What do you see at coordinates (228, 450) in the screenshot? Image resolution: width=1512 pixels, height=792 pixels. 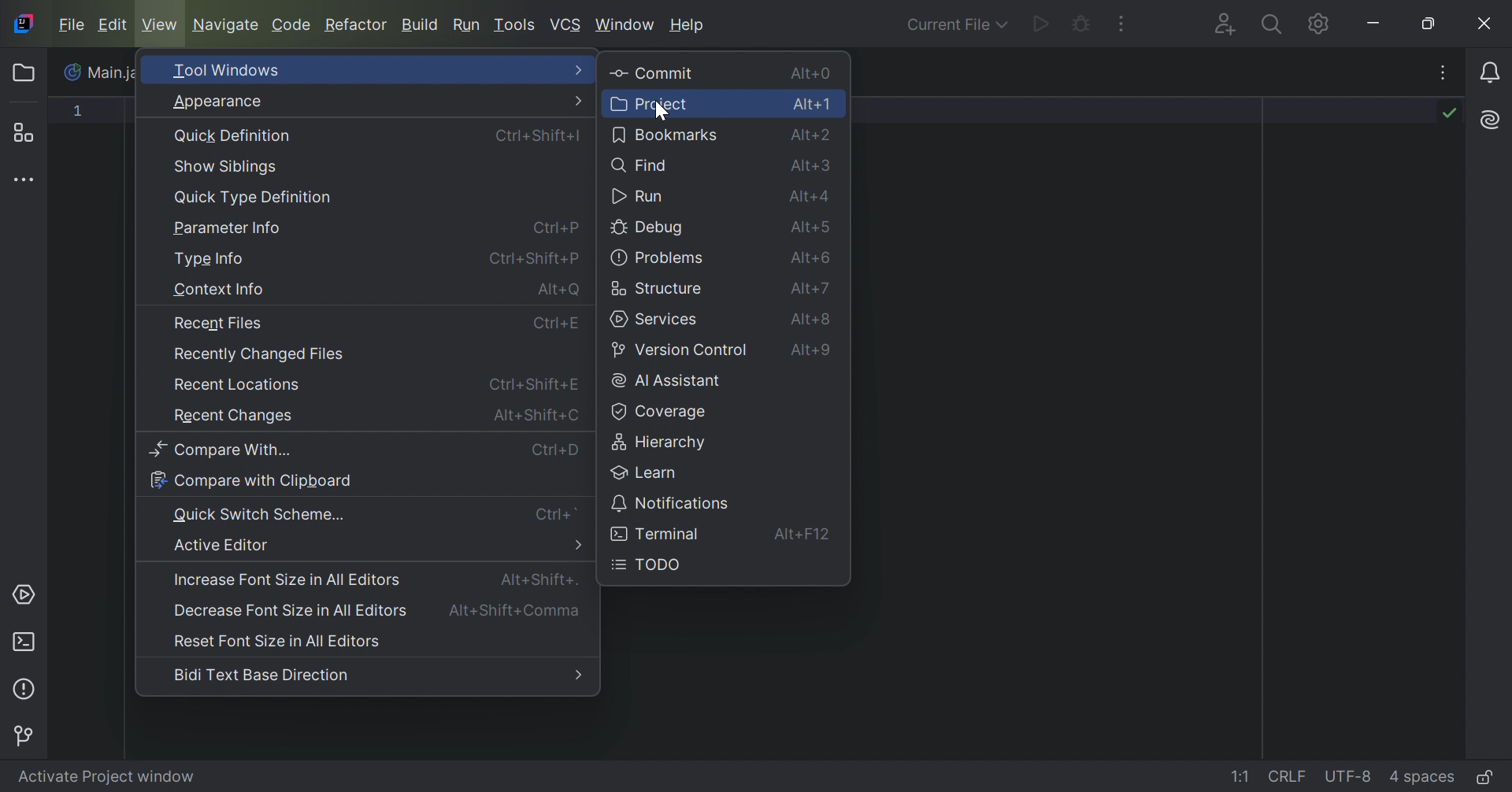 I see `Compare With...` at bounding box center [228, 450].